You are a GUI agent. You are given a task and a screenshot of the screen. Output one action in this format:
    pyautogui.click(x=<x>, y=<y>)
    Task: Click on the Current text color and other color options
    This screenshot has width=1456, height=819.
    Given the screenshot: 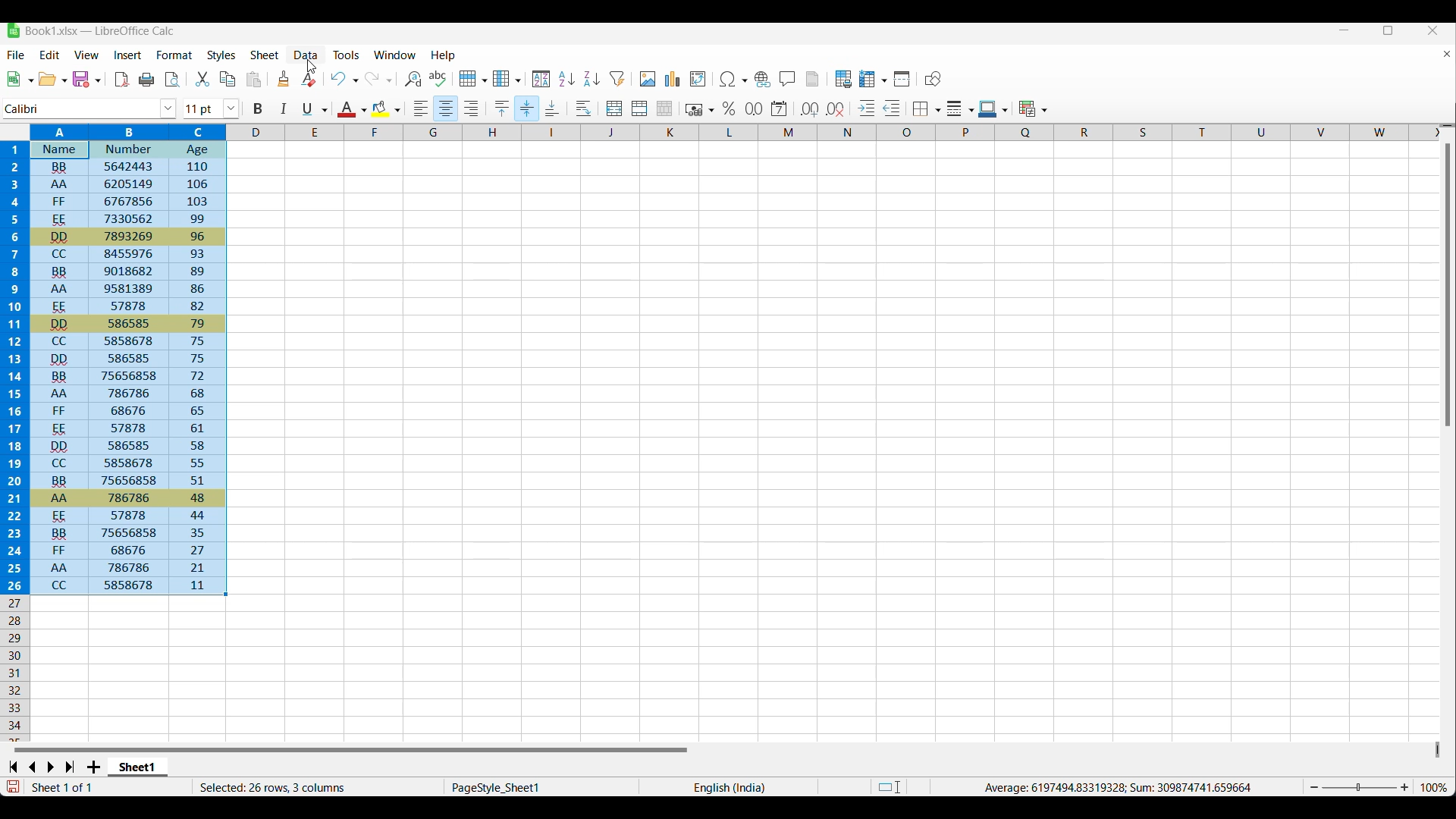 What is the action you would take?
    pyautogui.click(x=351, y=108)
    